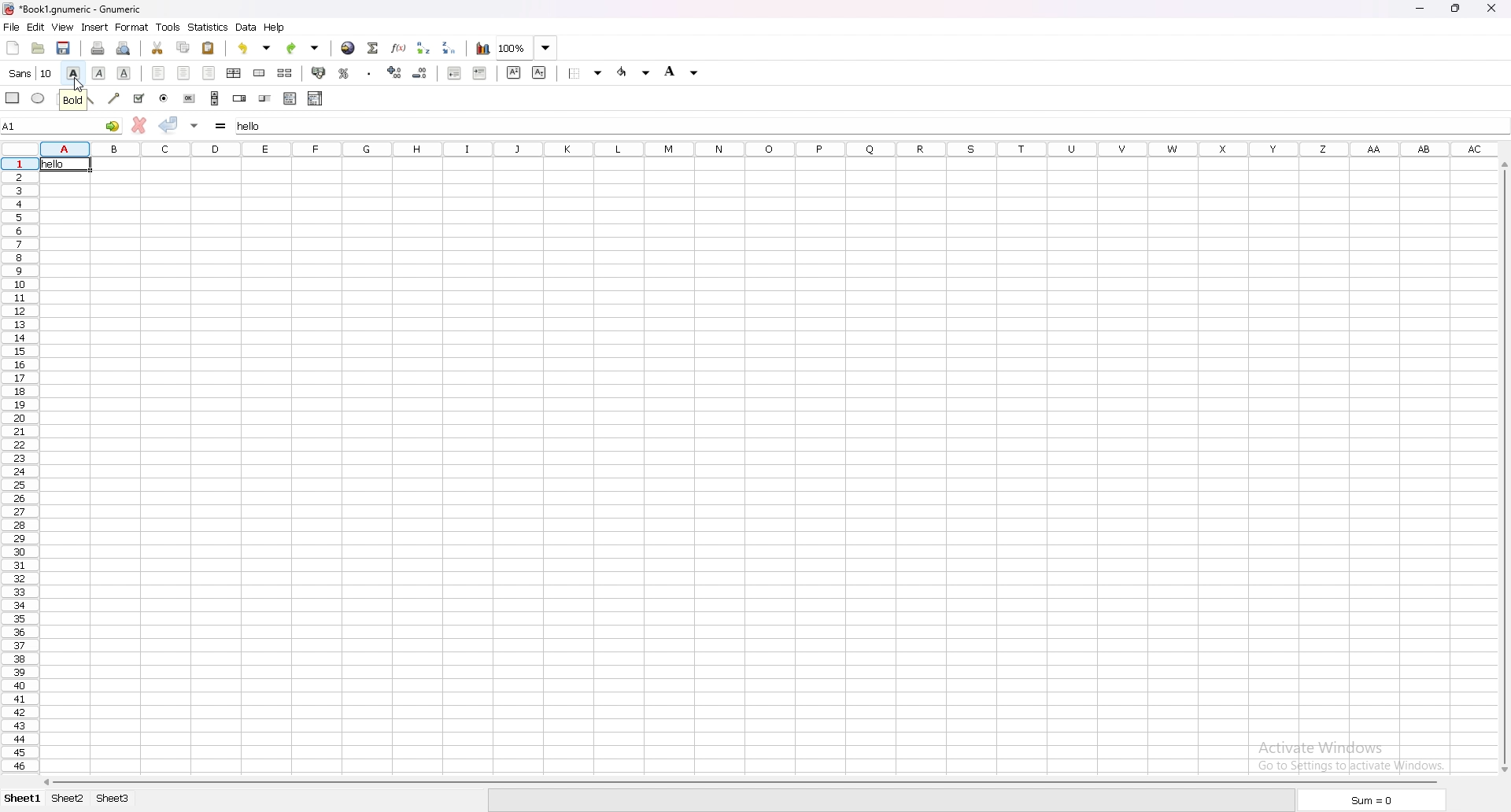 This screenshot has height=812, width=1511. What do you see at coordinates (740, 781) in the screenshot?
I see `scroll bar` at bounding box center [740, 781].